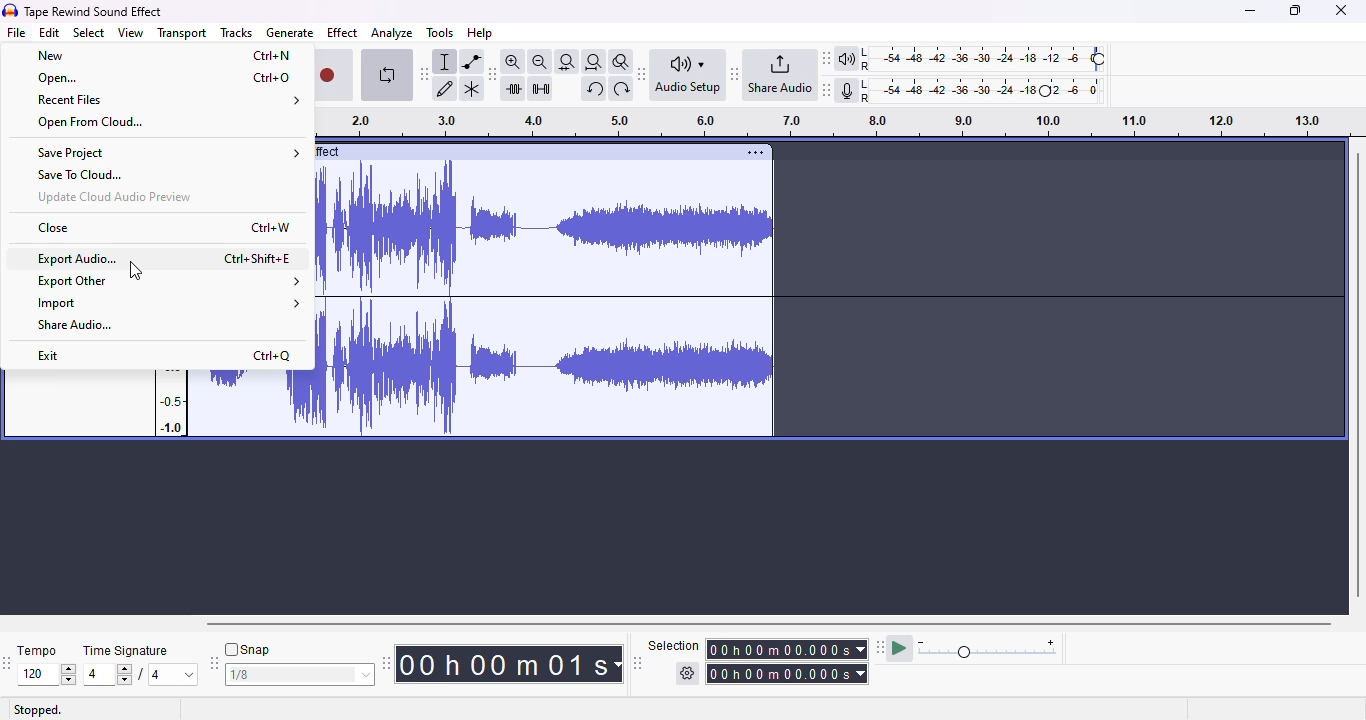  Describe the element at coordinates (471, 89) in the screenshot. I see `multi-tool` at that location.